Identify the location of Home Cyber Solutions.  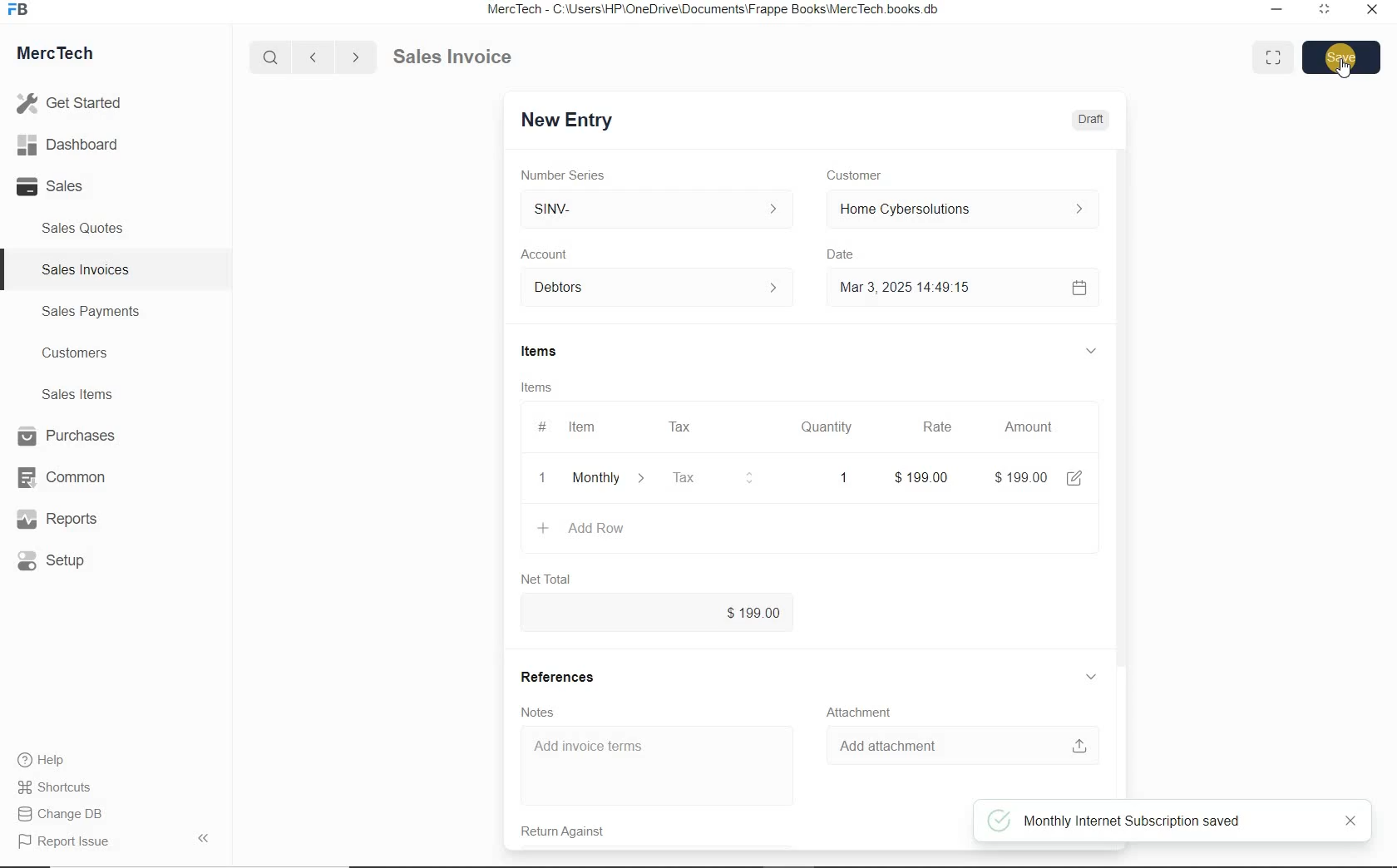
(961, 210).